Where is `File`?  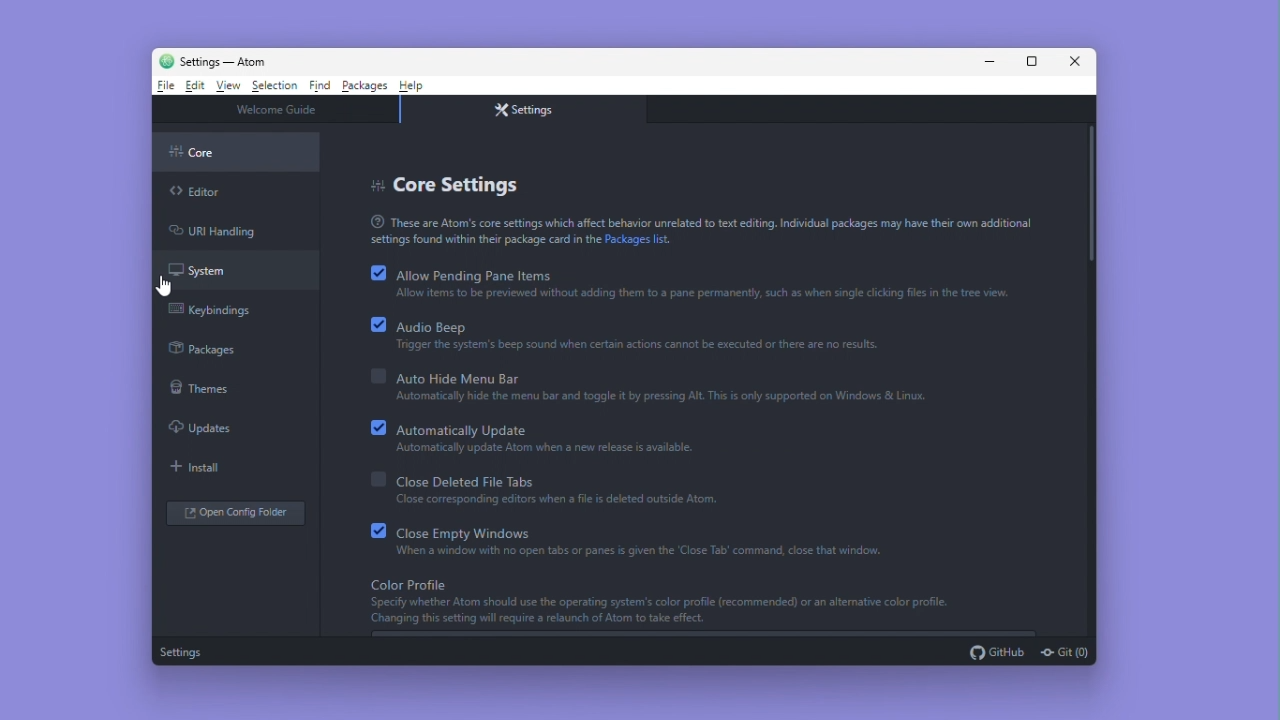 File is located at coordinates (163, 88).